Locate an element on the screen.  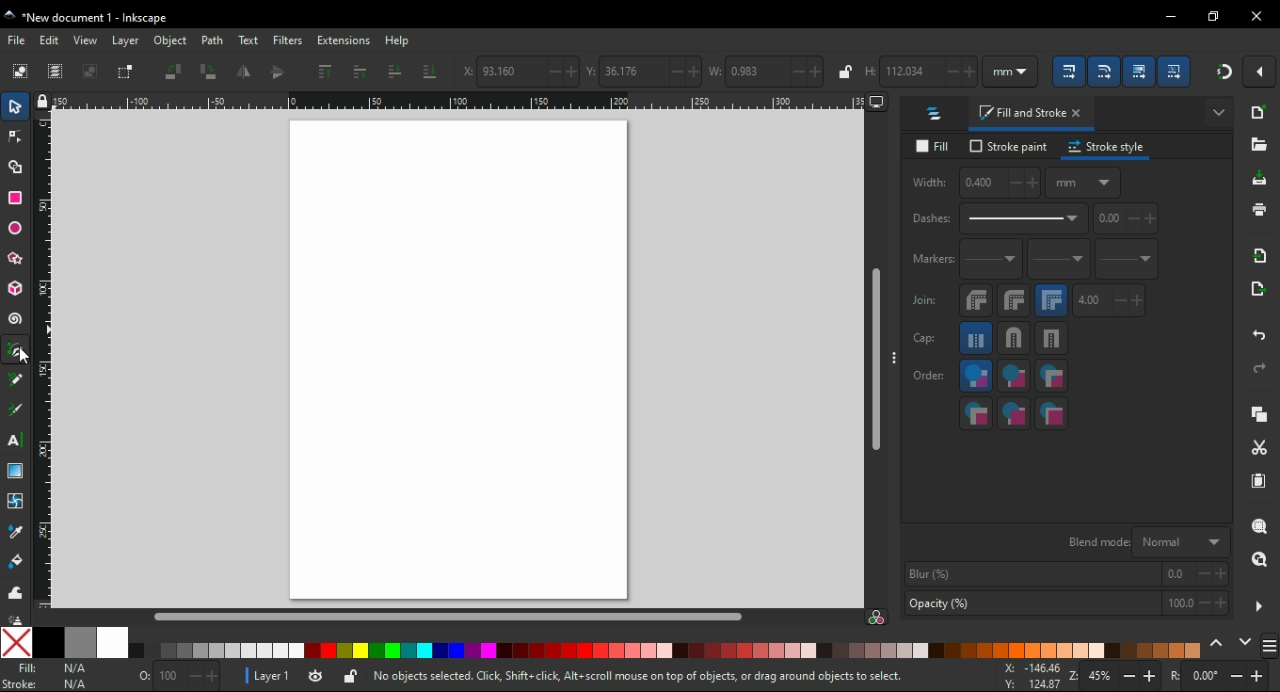
import is located at coordinates (1261, 255).